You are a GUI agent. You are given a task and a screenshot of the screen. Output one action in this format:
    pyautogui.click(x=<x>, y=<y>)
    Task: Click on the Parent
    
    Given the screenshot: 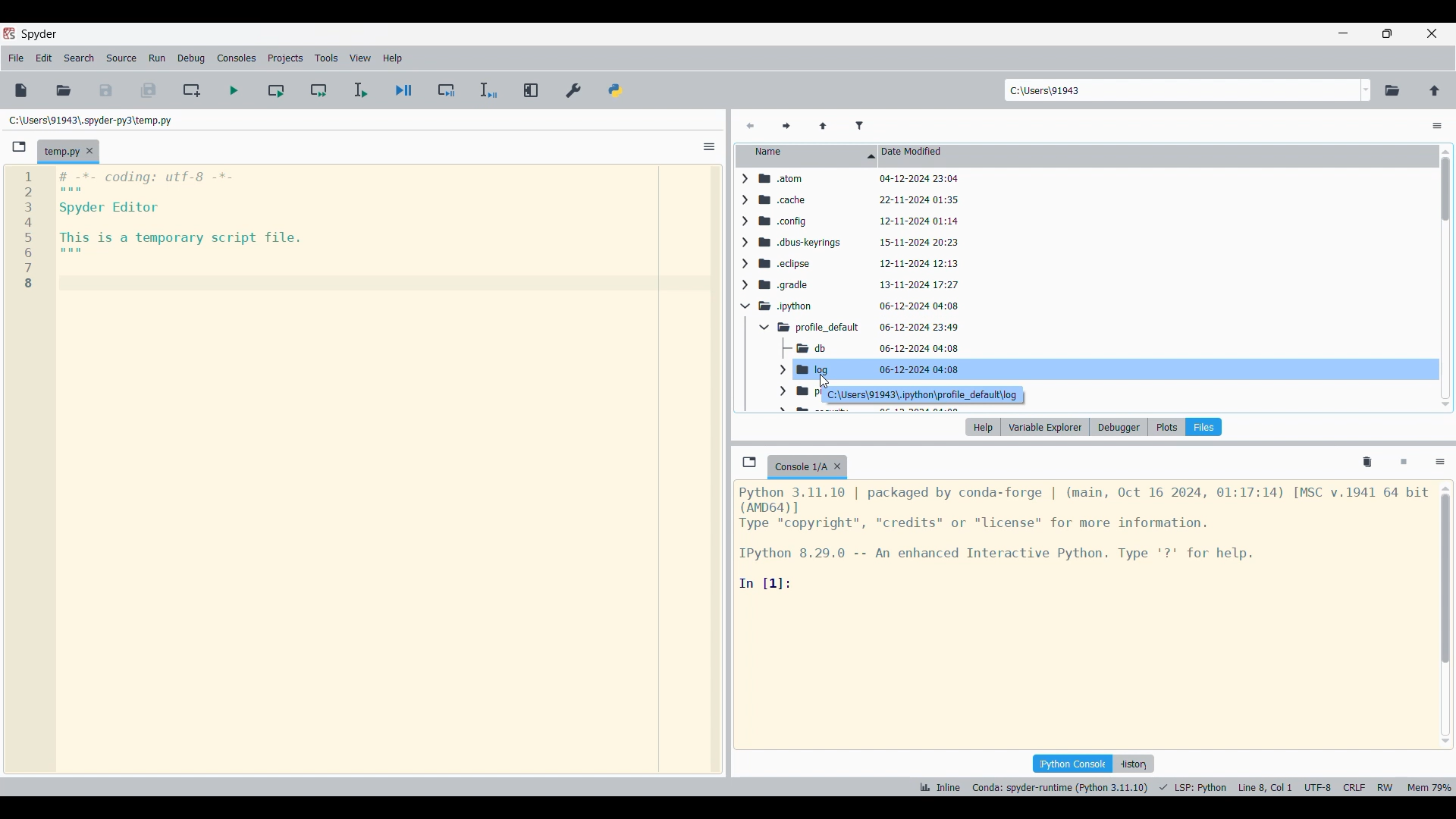 What is the action you would take?
    pyautogui.click(x=824, y=127)
    